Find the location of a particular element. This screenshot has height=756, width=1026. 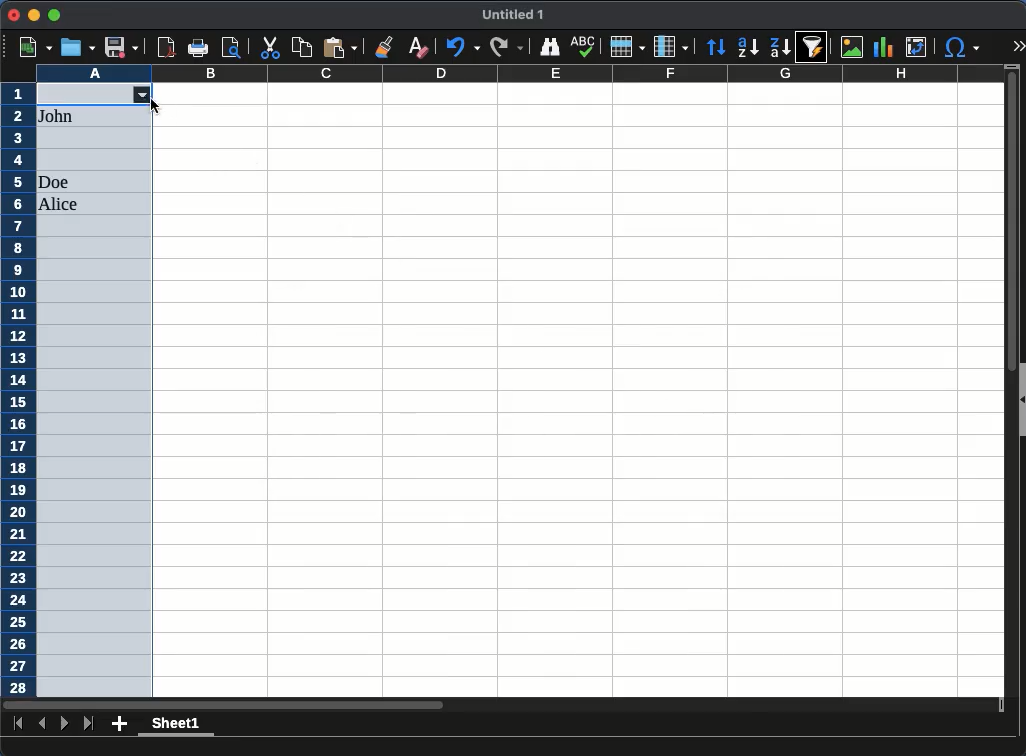

paste is located at coordinates (340, 47).